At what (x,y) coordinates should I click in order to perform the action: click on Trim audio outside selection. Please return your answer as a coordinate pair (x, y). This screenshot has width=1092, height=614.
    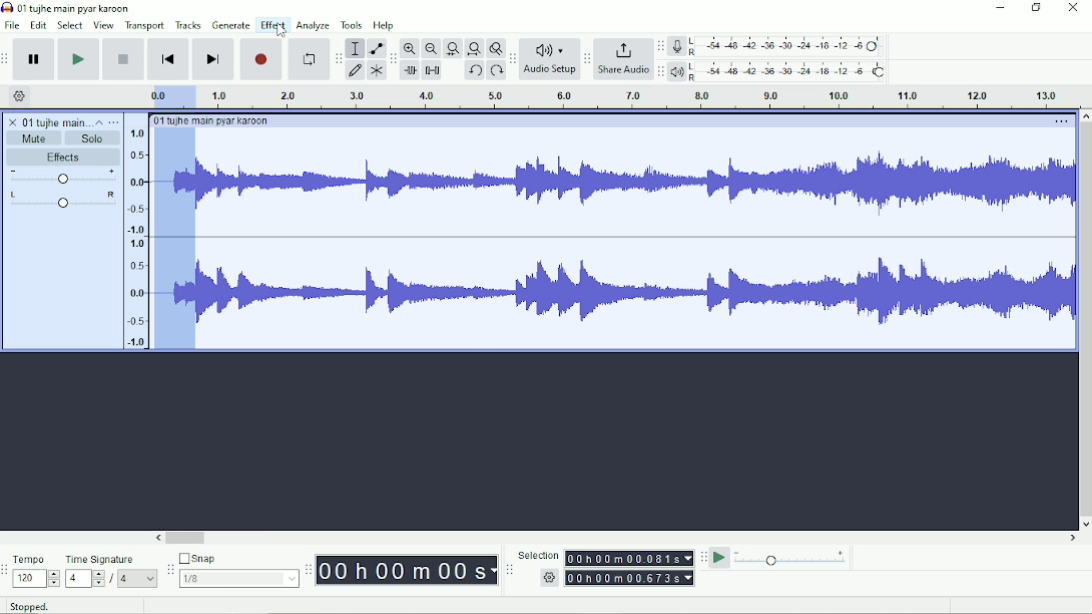
    Looking at the image, I should click on (409, 71).